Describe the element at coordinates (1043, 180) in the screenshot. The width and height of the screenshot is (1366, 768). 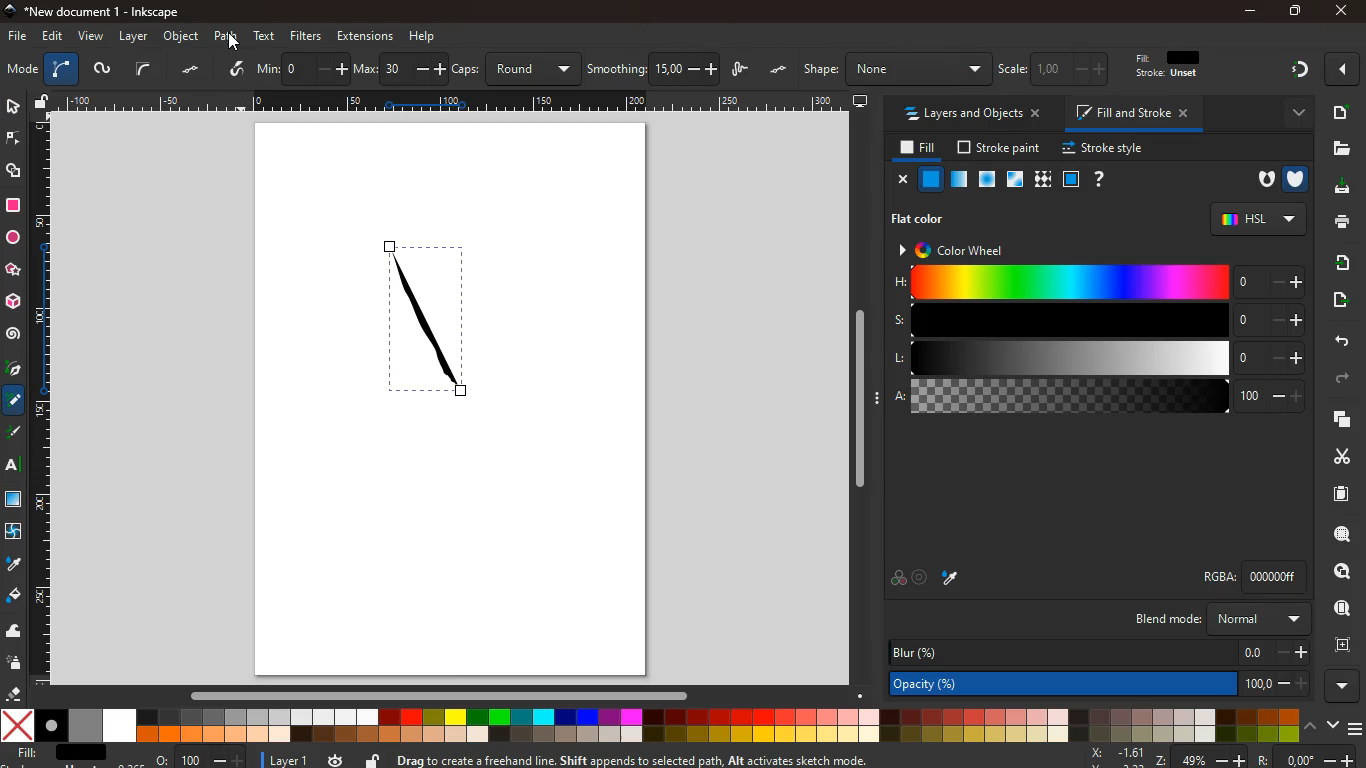
I see `texture` at that location.